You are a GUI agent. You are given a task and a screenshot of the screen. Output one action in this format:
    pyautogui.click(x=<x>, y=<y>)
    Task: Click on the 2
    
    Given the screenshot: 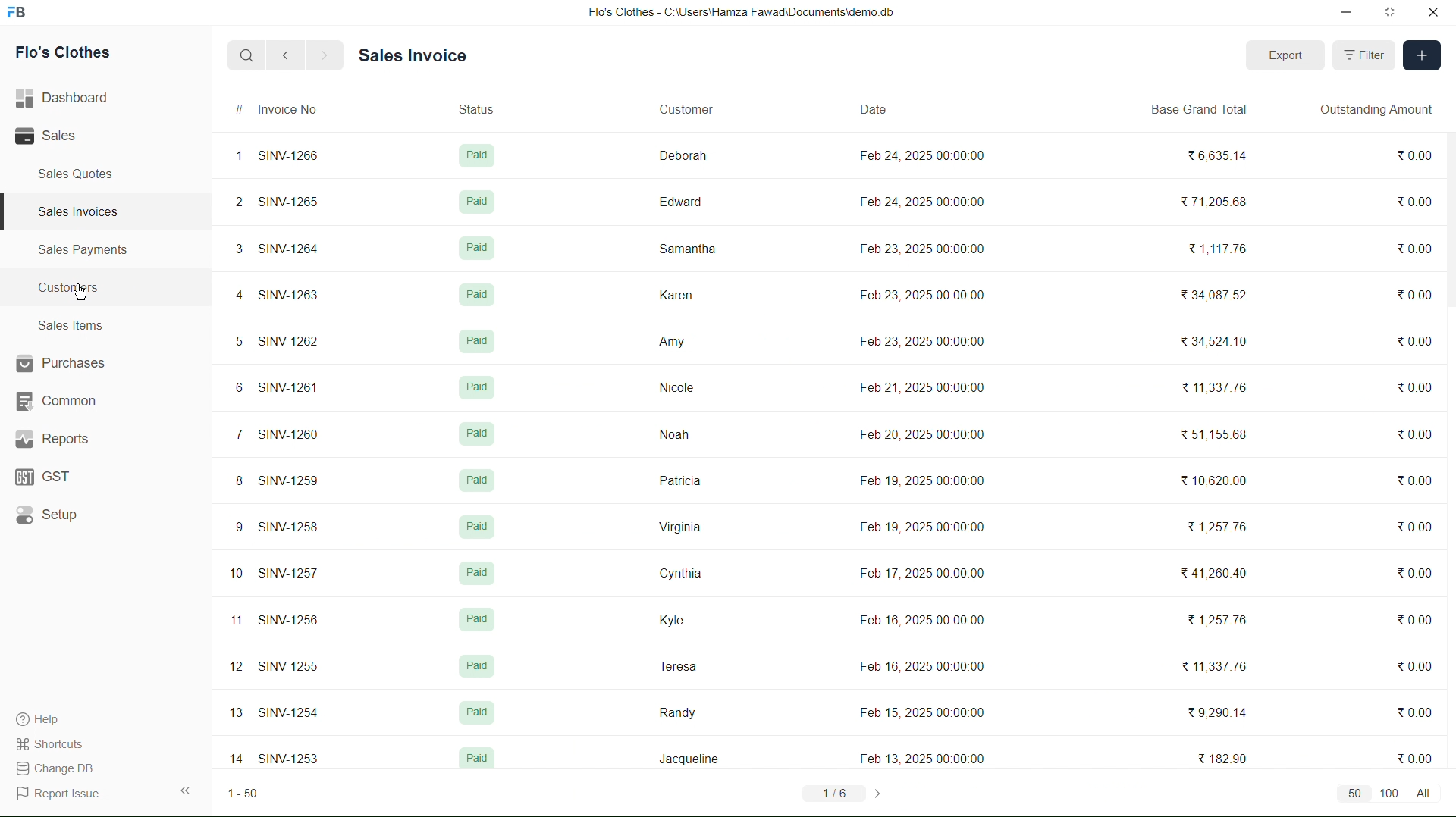 What is the action you would take?
    pyautogui.click(x=235, y=199)
    